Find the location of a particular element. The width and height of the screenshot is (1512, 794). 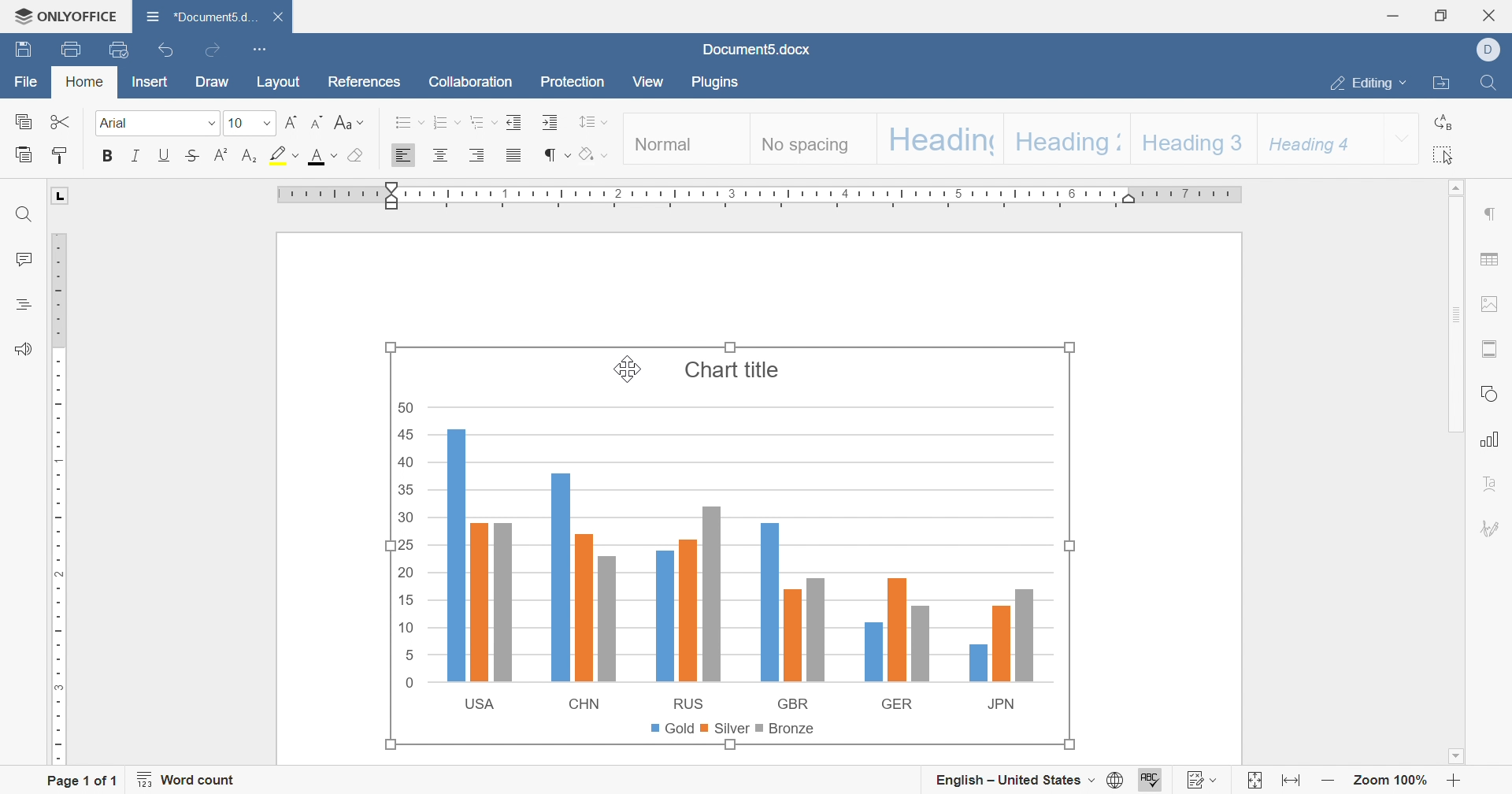

view is located at coordinates (647, 80).